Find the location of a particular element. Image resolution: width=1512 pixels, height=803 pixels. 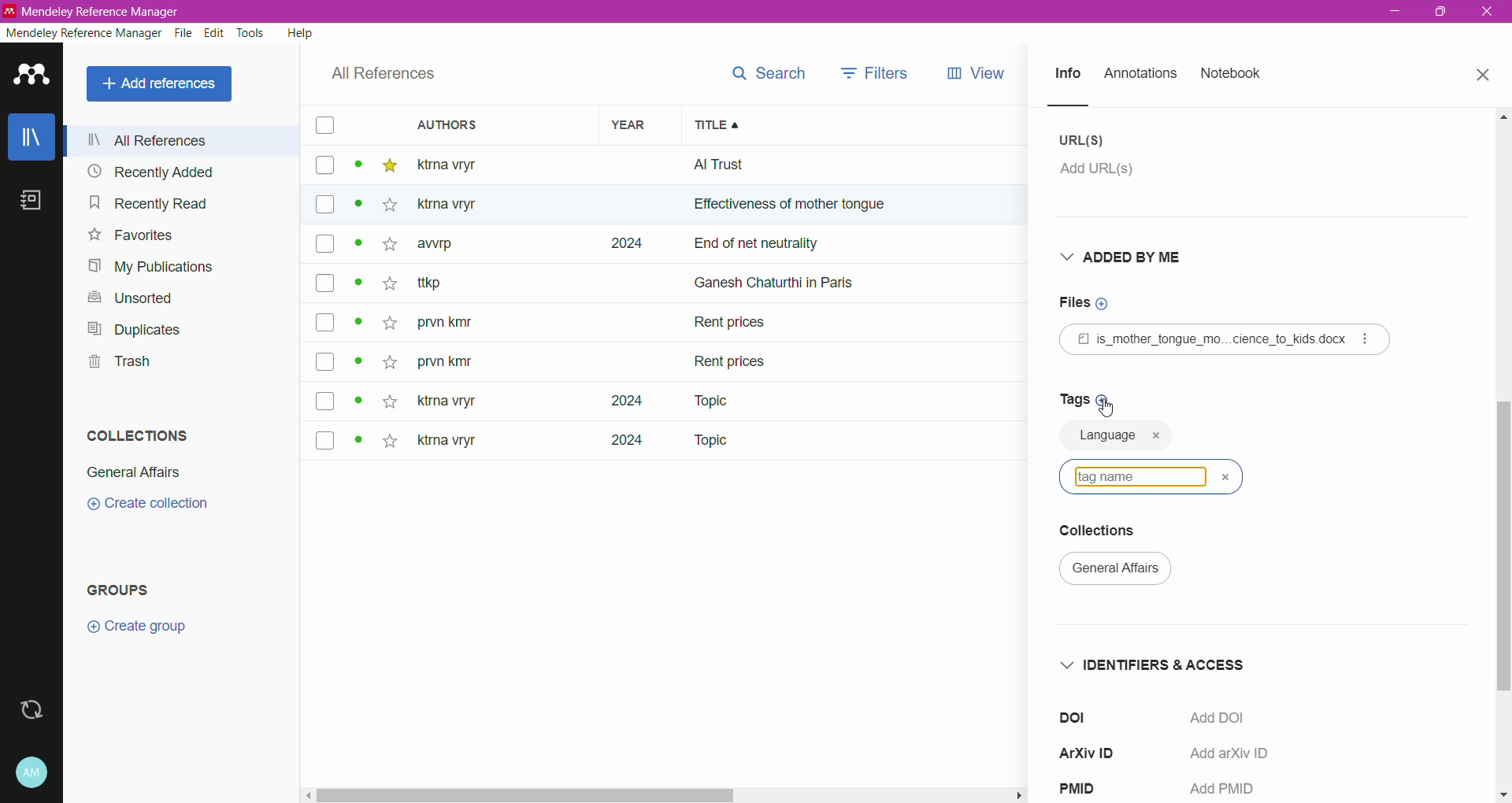

Click to add Tags is located at coordinates (1083, 398).